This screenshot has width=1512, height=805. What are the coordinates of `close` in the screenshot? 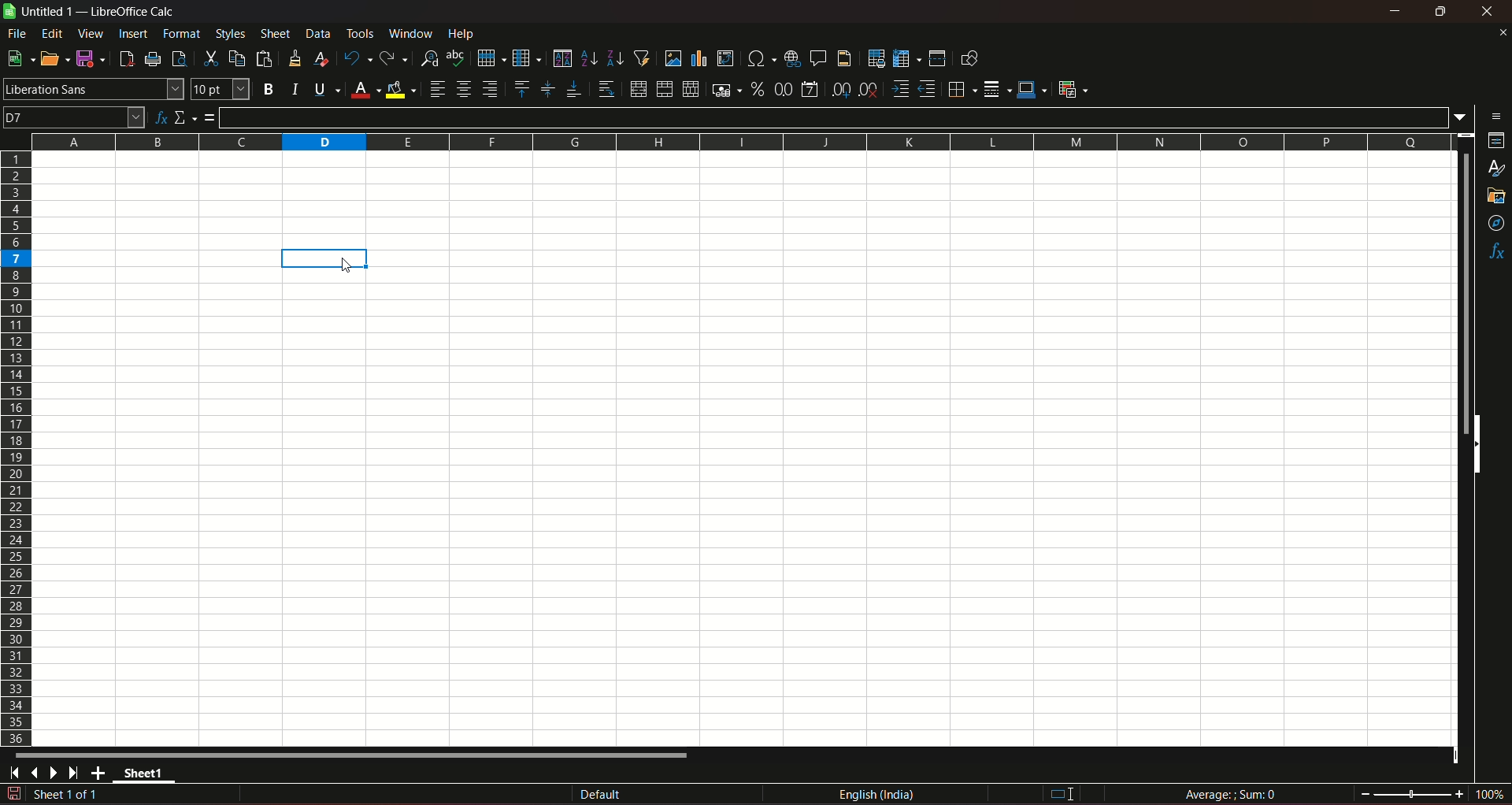 It's located at (1502, 32).